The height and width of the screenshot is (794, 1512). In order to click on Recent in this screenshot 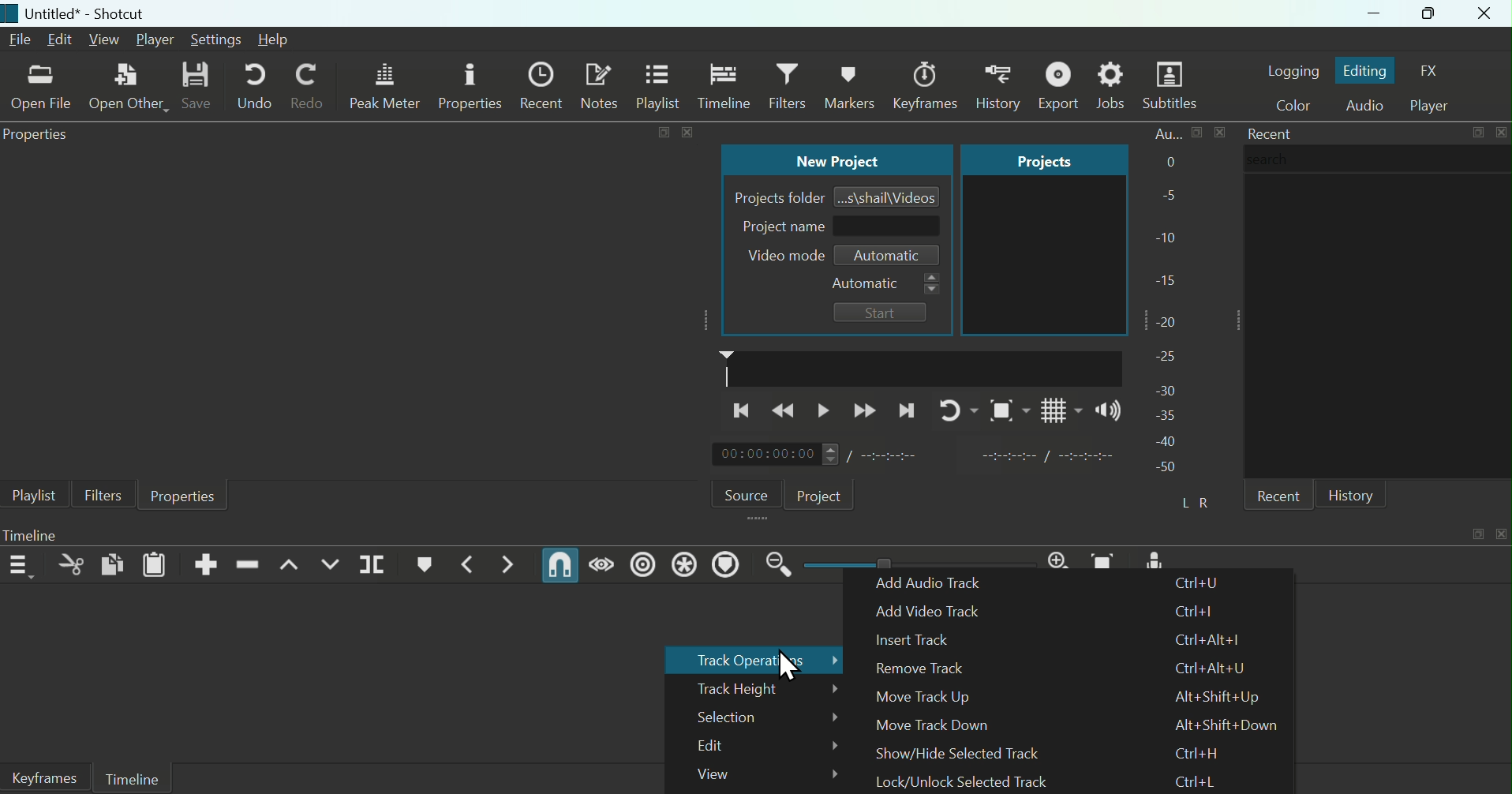, I will do `click(545, 85)`.